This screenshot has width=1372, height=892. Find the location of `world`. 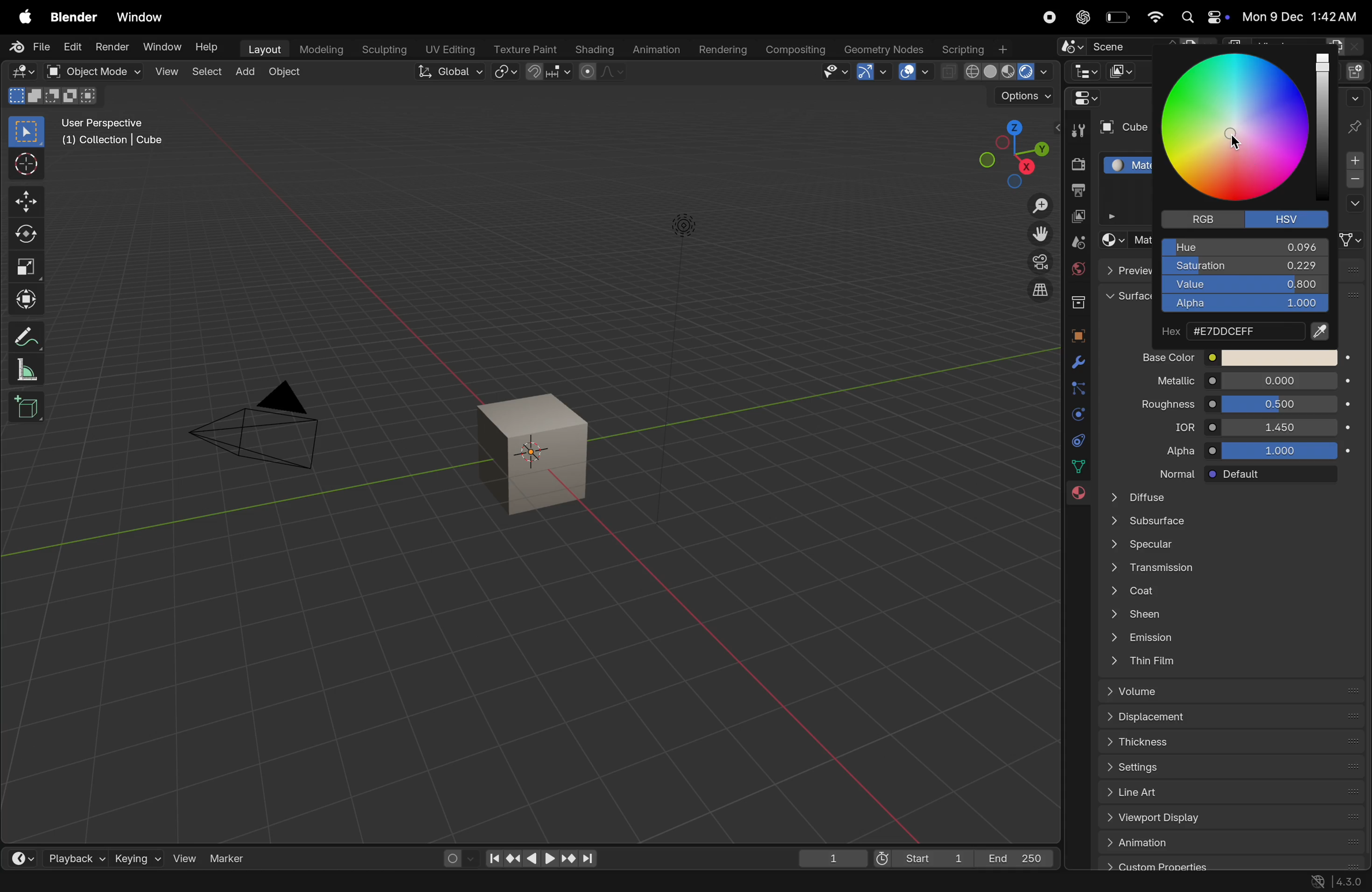

world is located at coordinates (1076, 269).